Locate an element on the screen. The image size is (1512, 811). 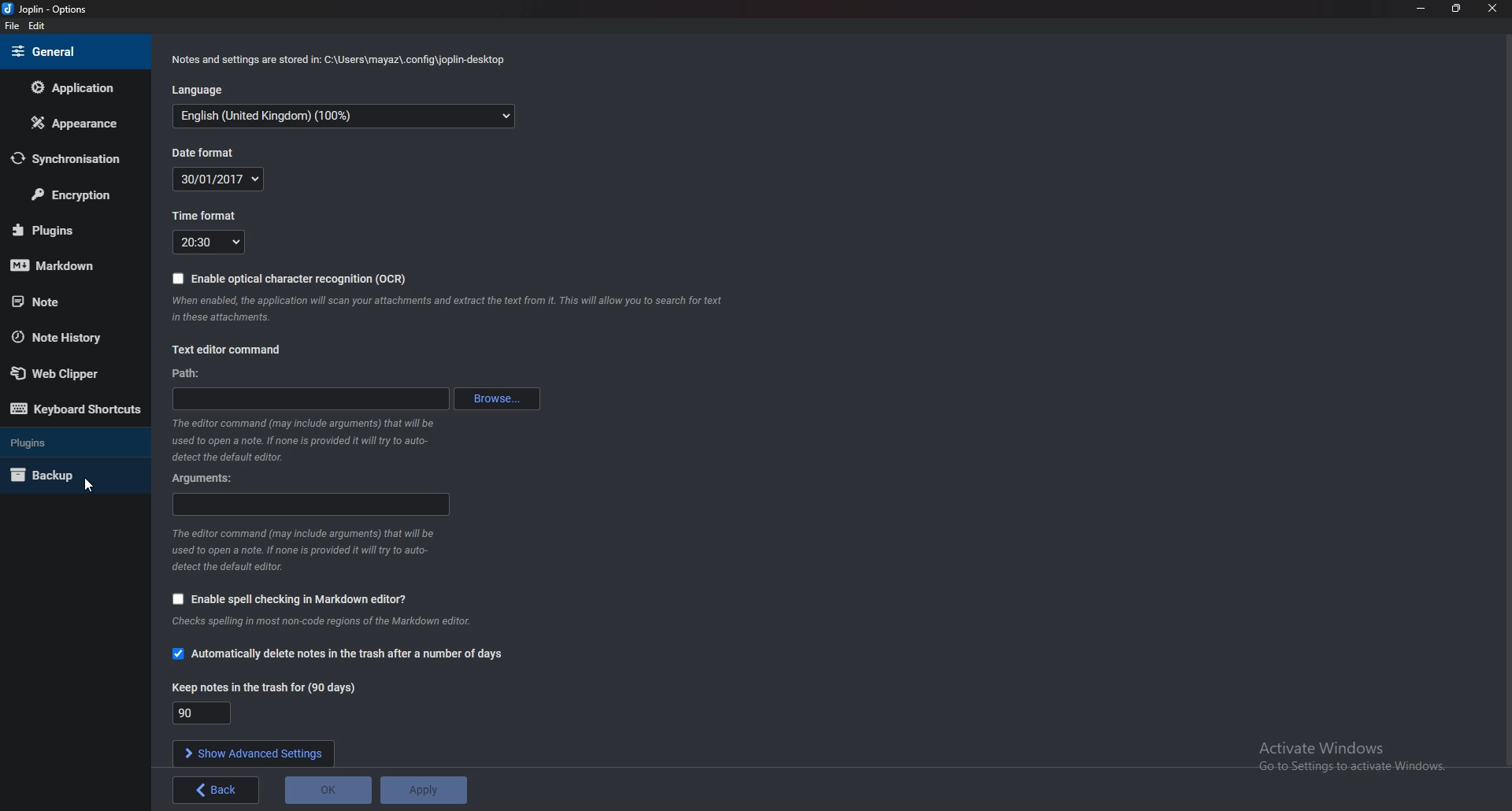
Text editor command is located at coordinates (235, 347).